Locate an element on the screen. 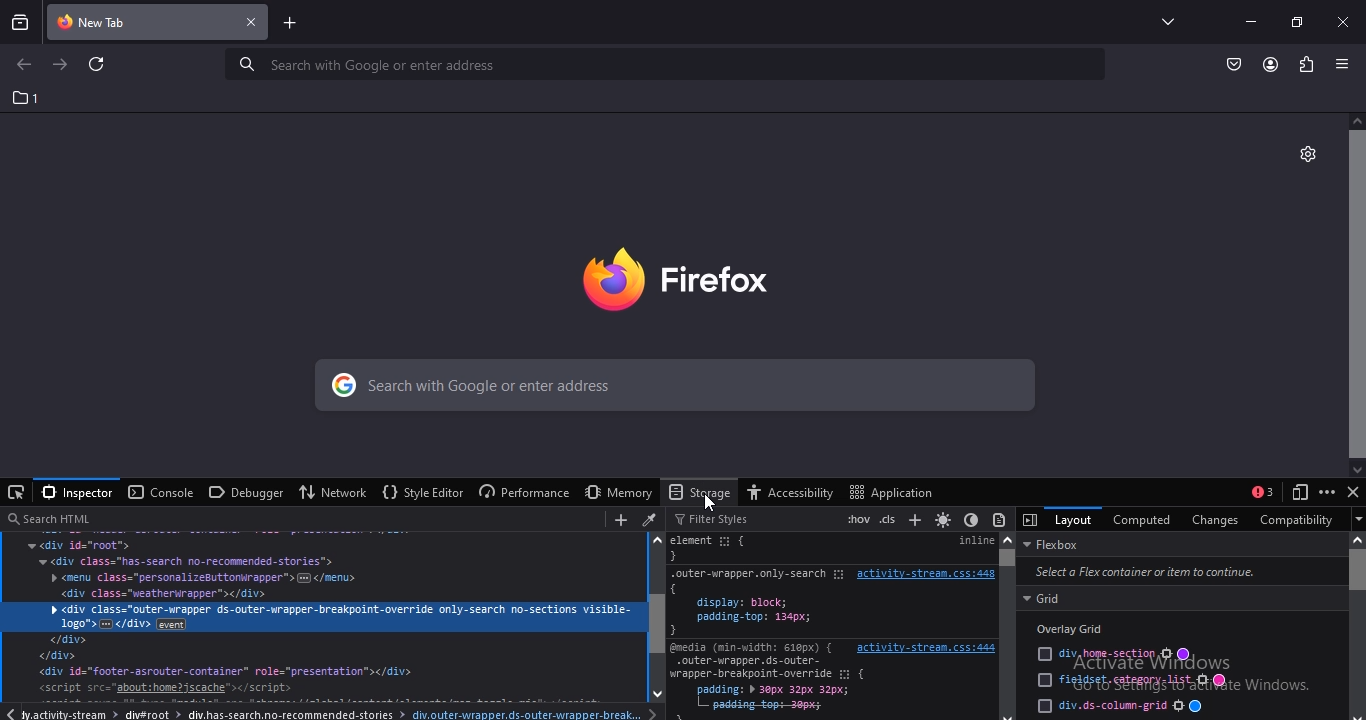  memory is located at coordinates (614, 492).